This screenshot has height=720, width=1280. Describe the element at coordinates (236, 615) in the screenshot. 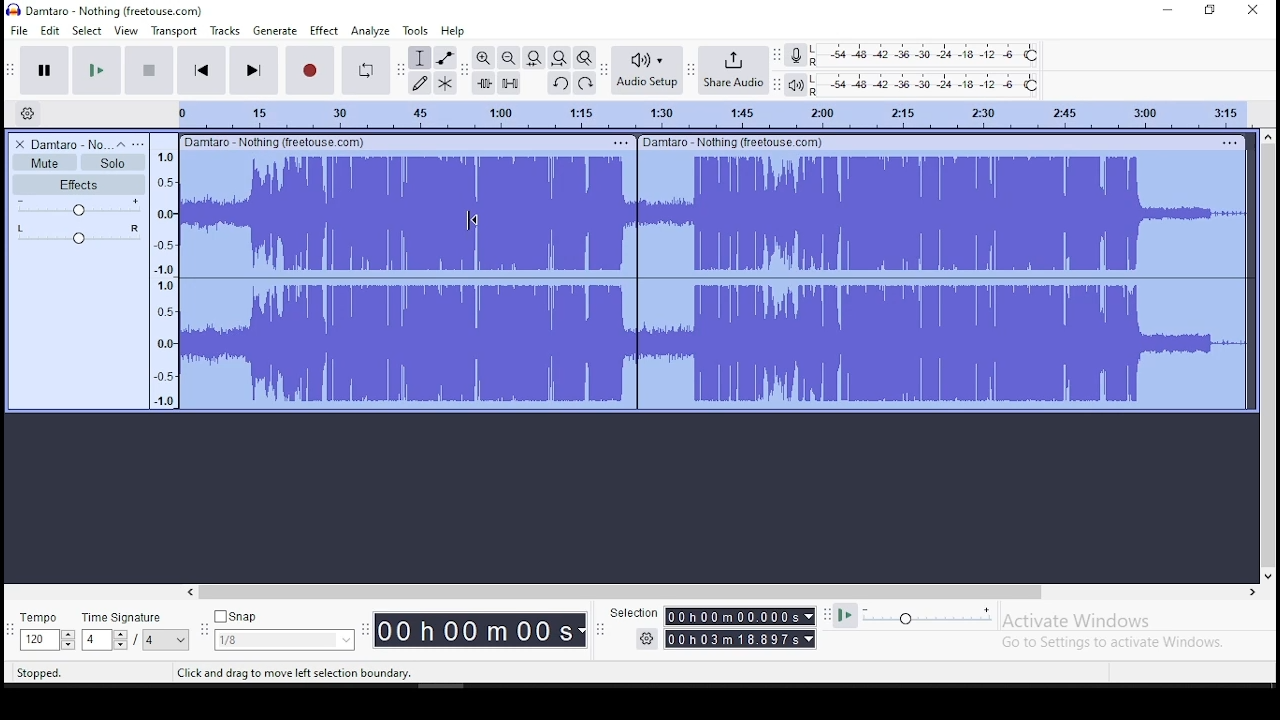

I see `snap button` at that location.